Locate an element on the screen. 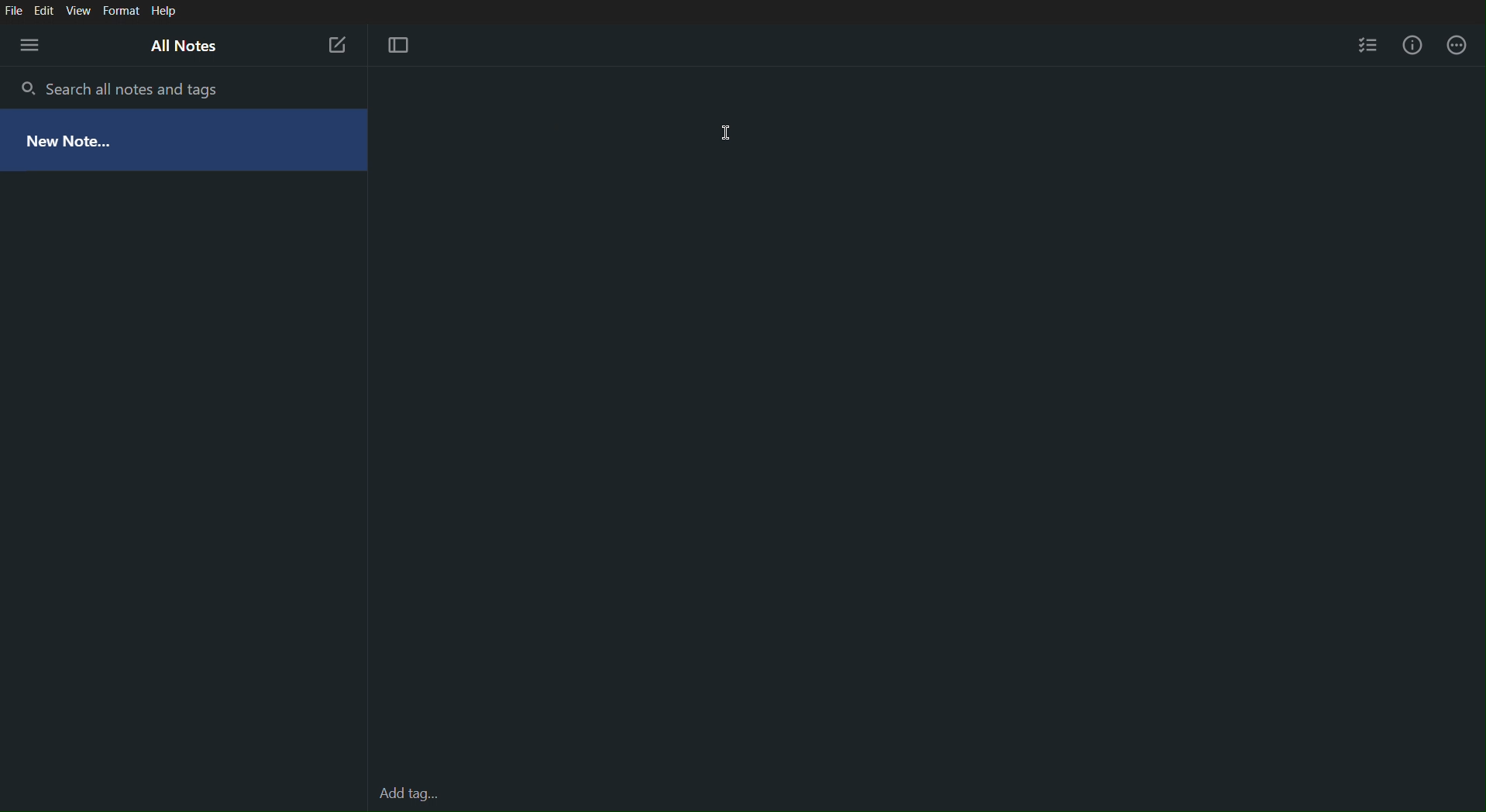 This screenshot has width=1486, height=812. Help is located at coordinates (164, 12).